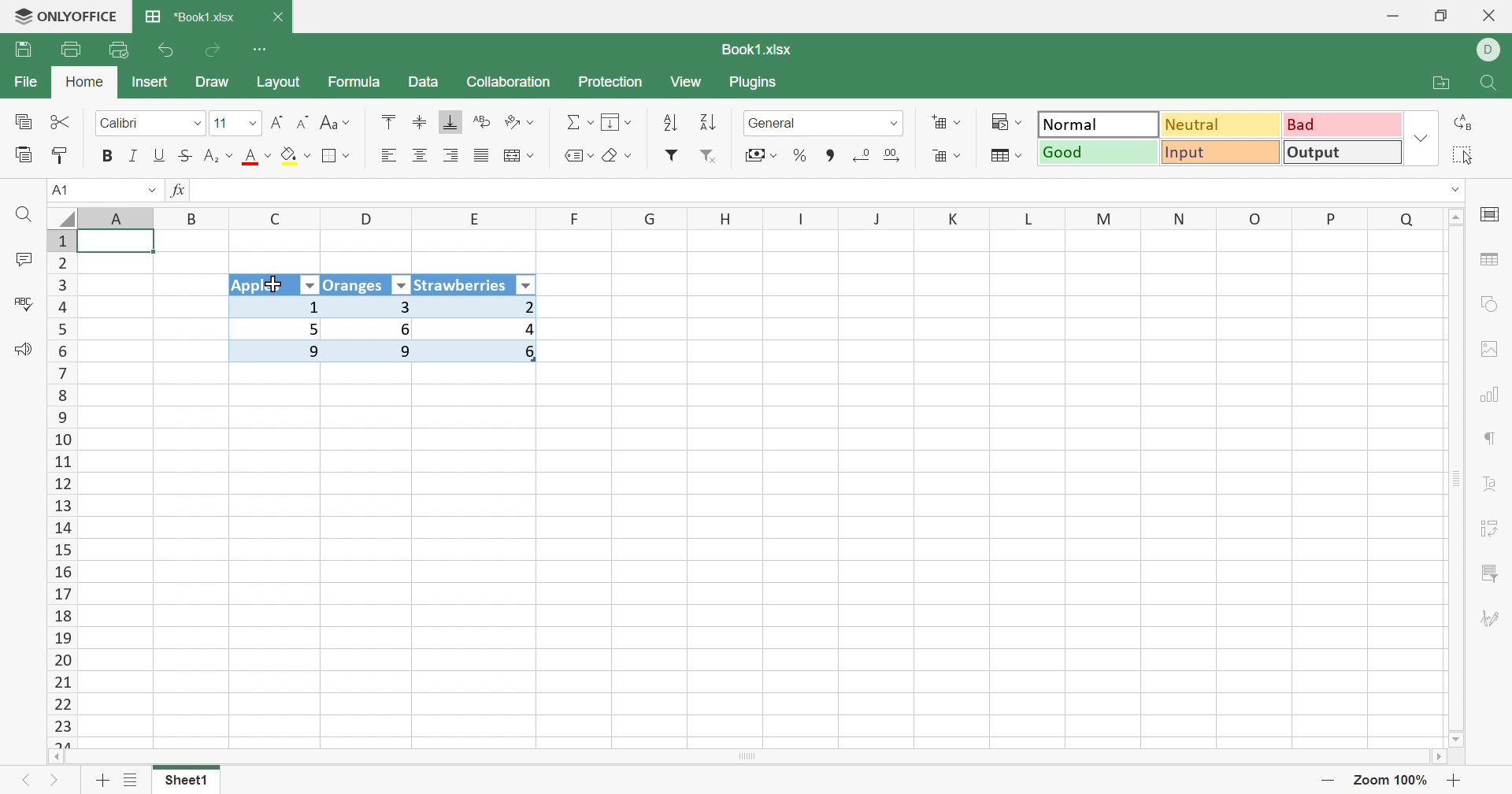  What do you see at coordinates (1490, 619) in the screenshot?
I see `Signature settings` at bounding box center [1490, 619].